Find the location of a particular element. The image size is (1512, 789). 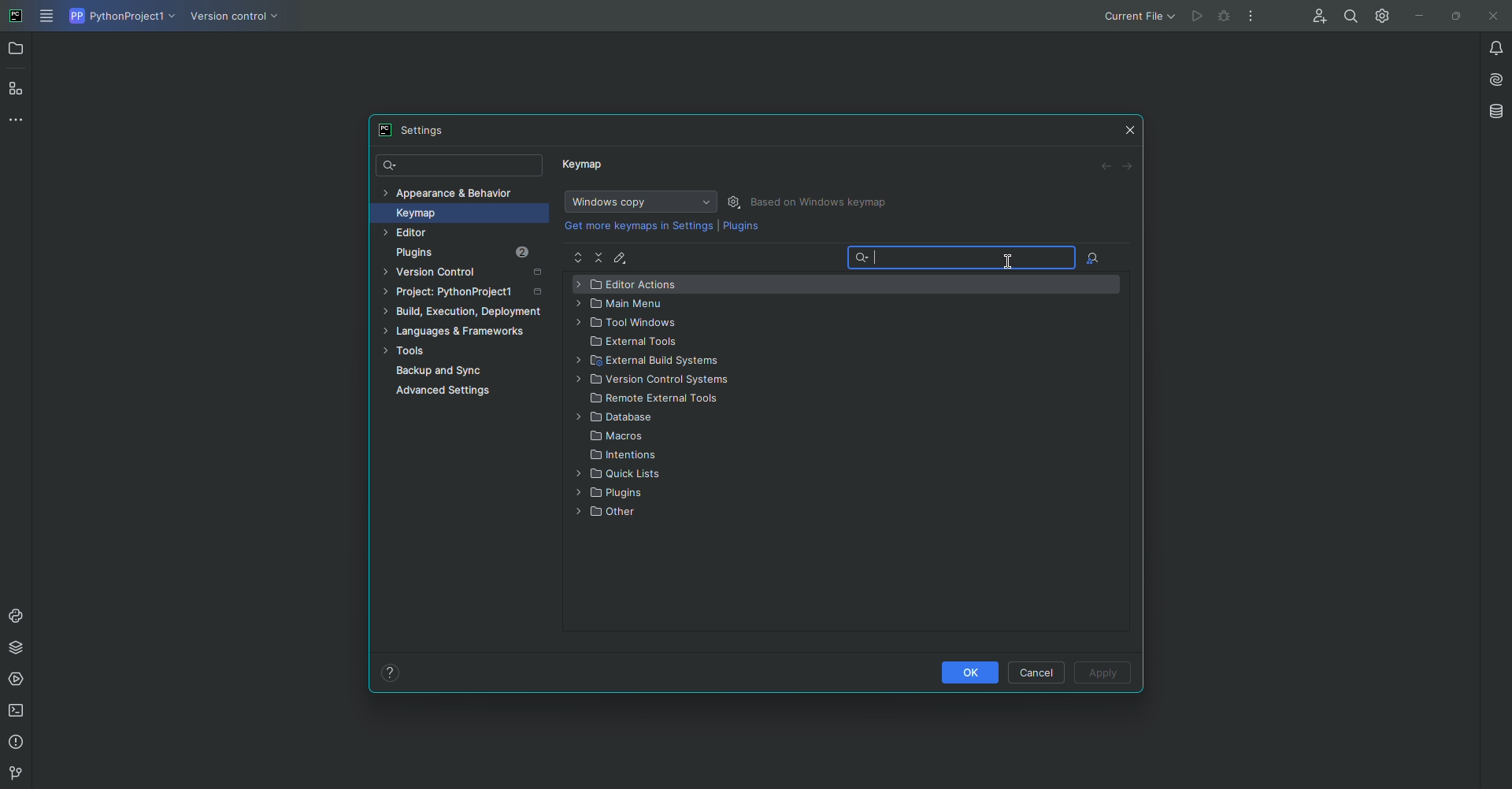

Backup and Sync is located at coordinates (471, 371).